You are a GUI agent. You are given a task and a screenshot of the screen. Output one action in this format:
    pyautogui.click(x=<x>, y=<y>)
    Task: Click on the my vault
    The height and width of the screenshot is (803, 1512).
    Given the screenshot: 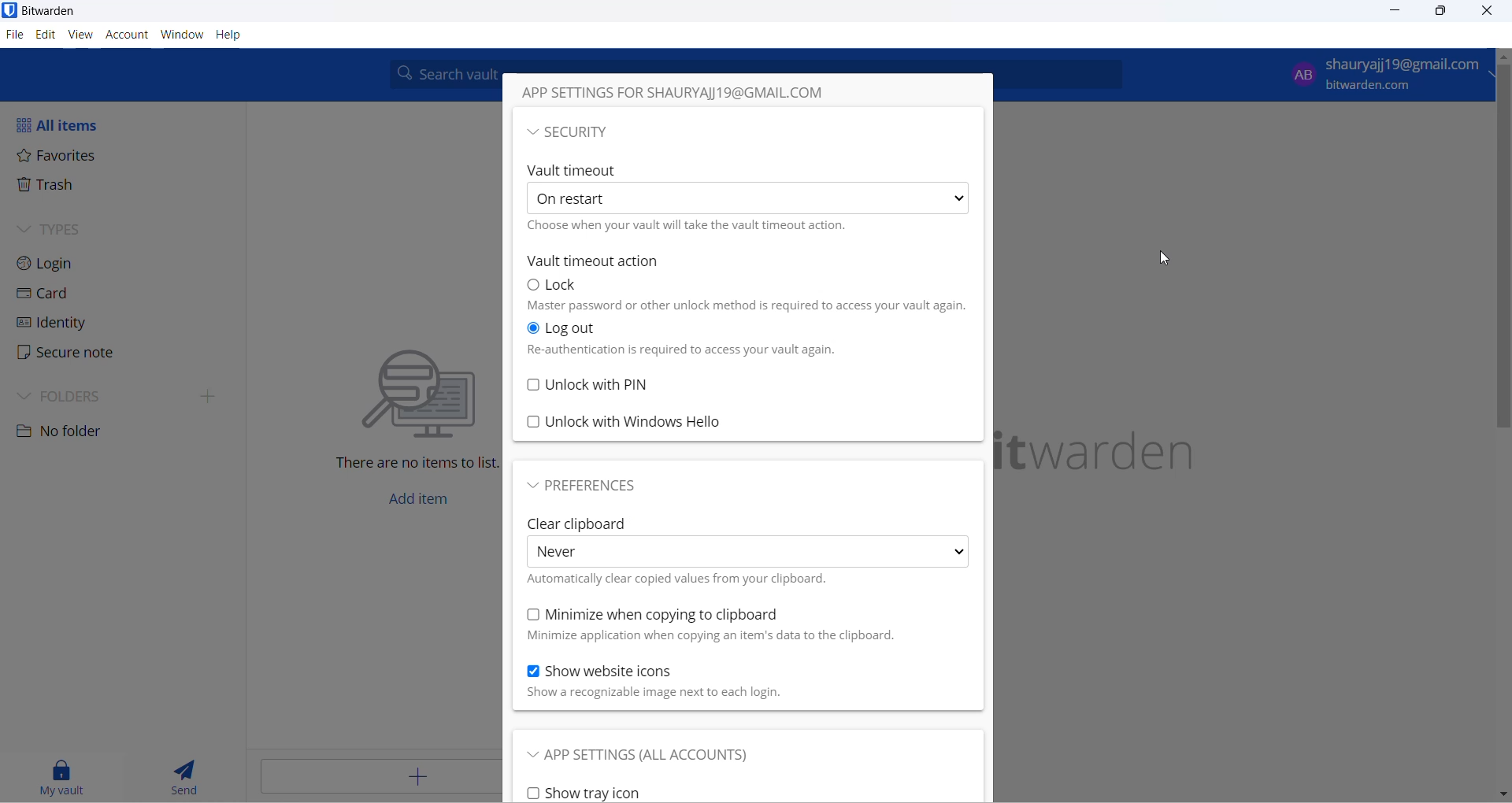 What is the action you would take?
    pyautogui.click(x=62, y=775)
    